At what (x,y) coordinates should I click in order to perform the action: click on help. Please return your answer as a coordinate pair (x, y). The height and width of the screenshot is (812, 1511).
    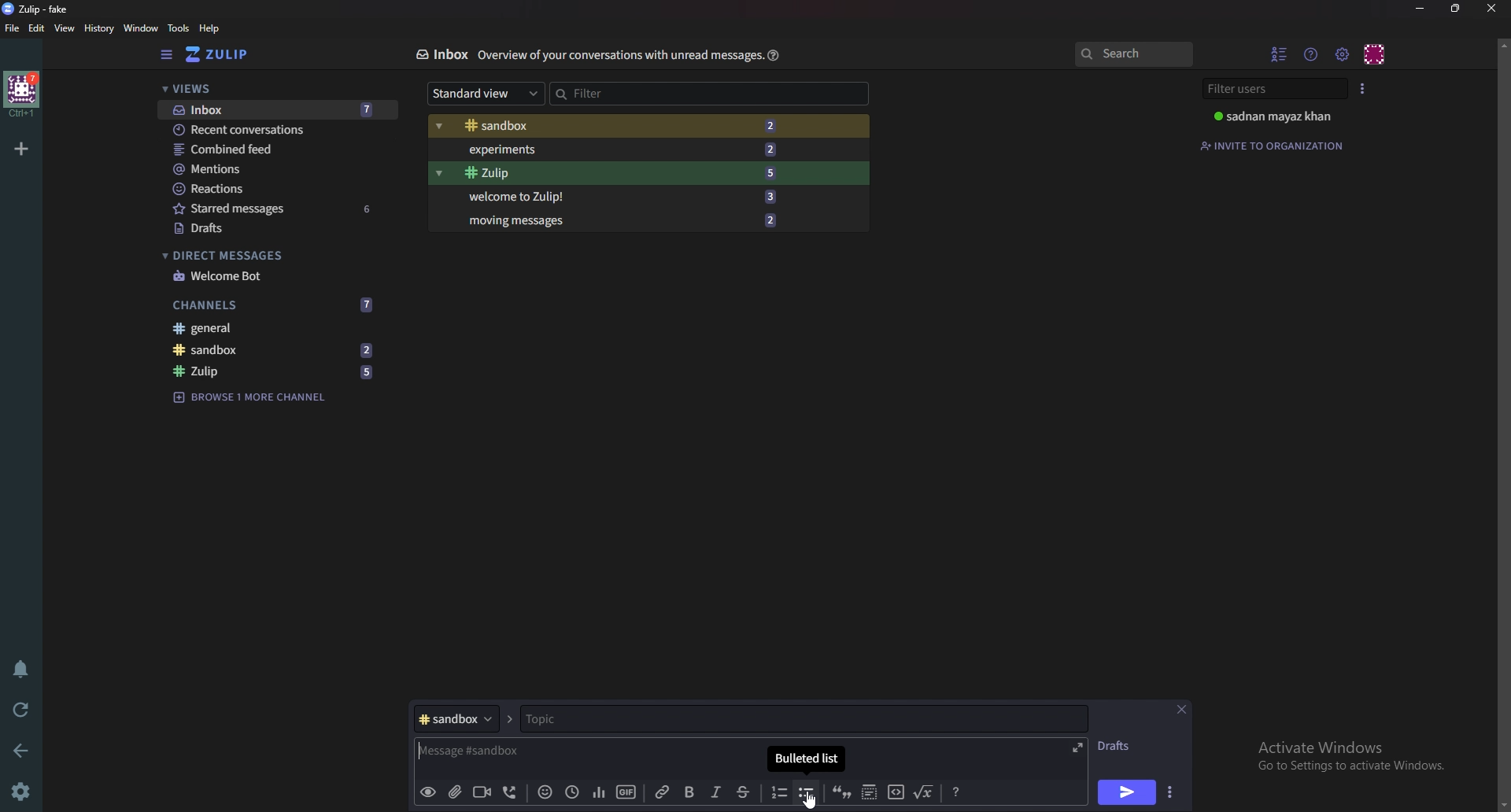
    Looking at the image, I should click on (210, 28).